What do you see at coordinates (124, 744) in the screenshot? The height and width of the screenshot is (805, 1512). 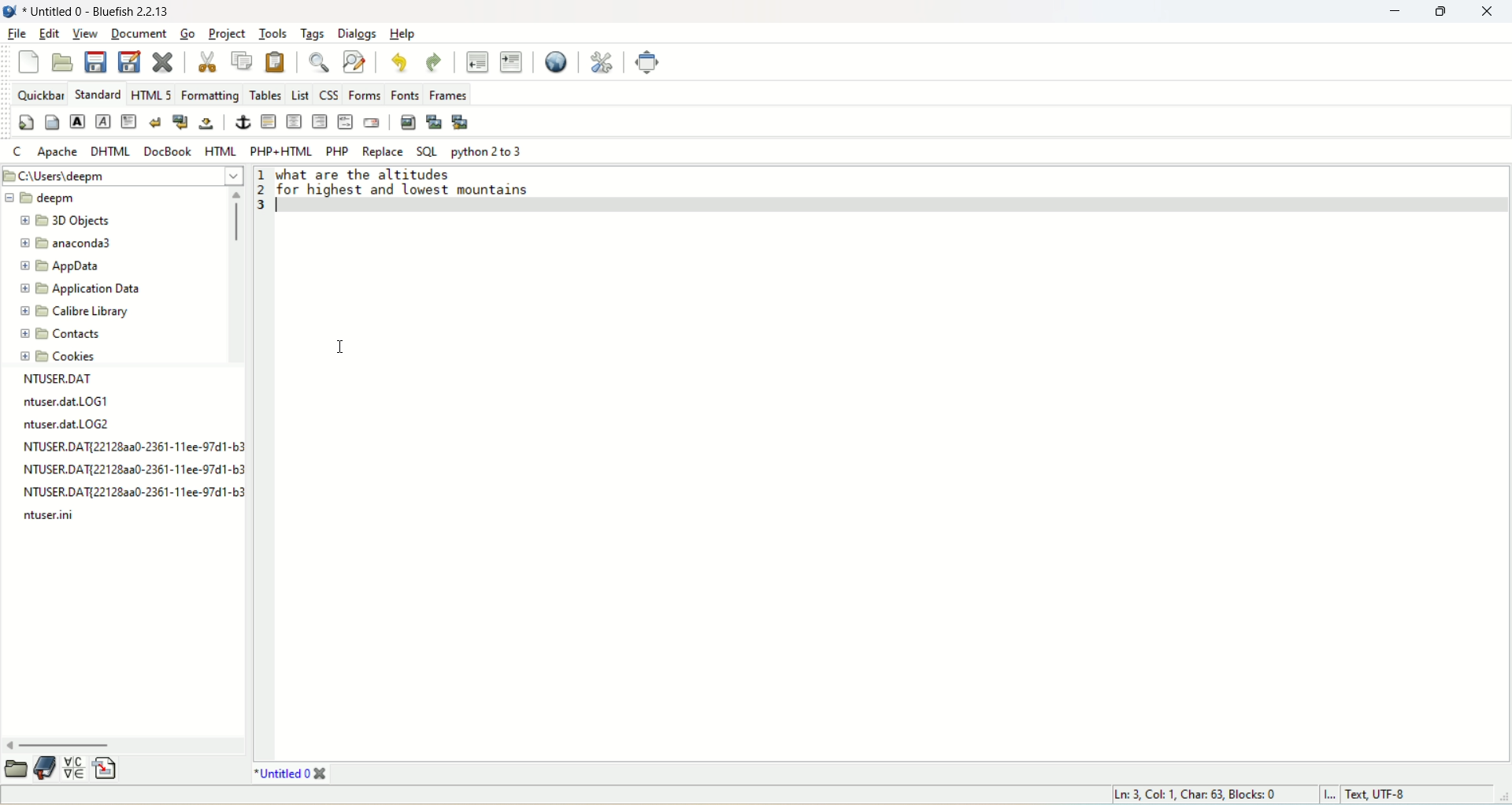 I see `horizontal scroll bar` at bounding box center [124, 744].